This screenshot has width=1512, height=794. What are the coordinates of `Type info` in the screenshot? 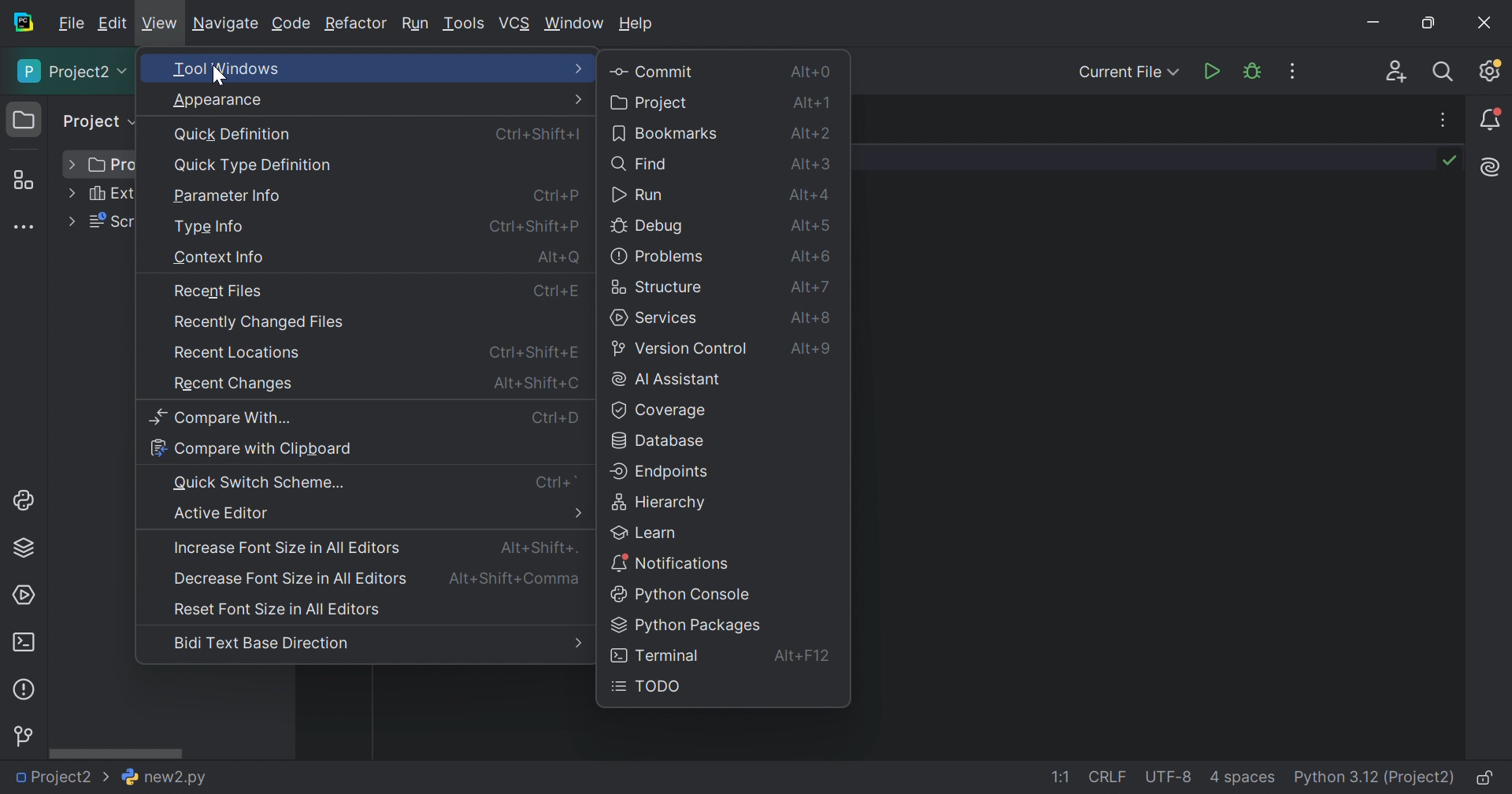 It's located at (211, 228).